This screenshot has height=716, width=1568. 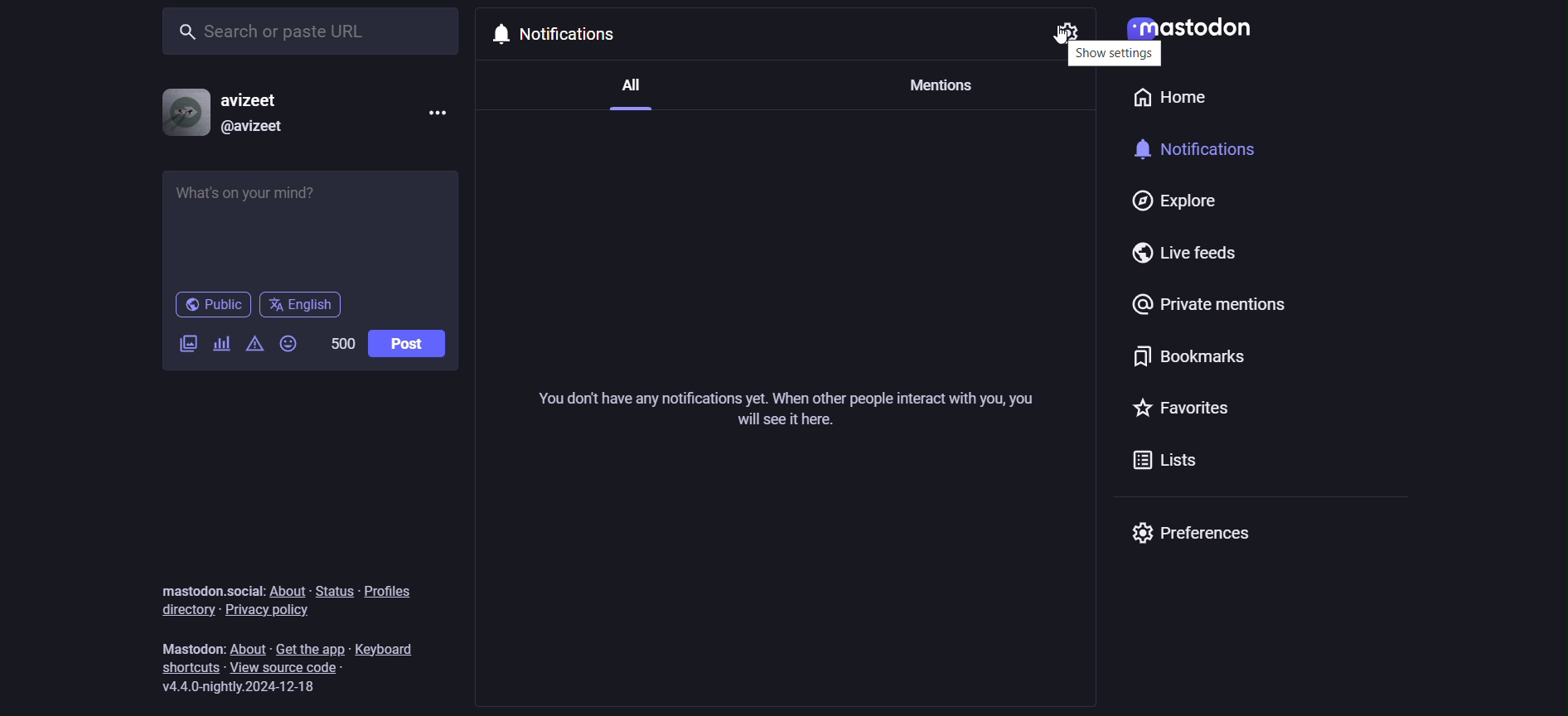 I want to click on preferences, so click(x=1190, y=534).